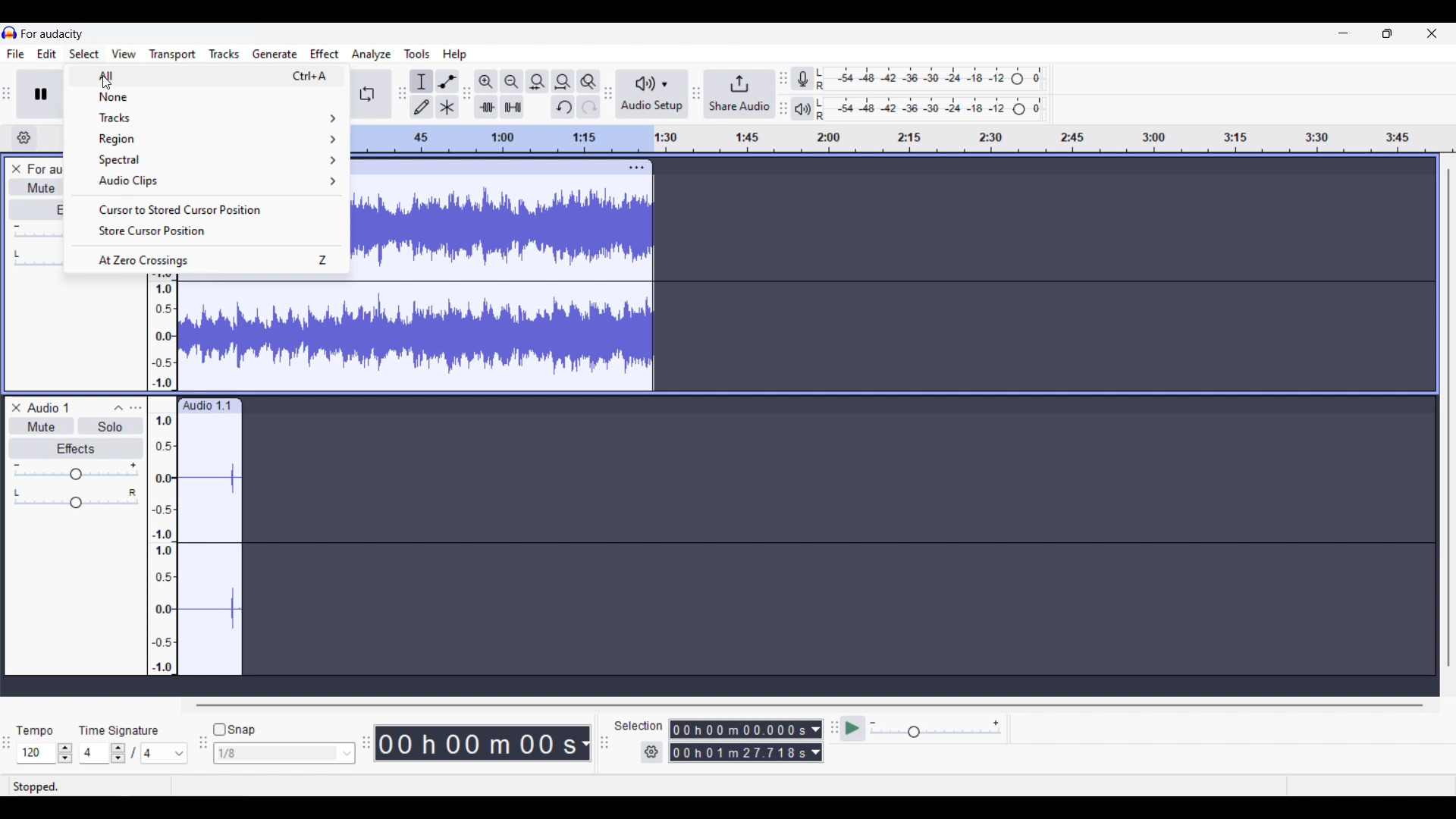 This screenshot has width=1456, height=819. What do you see at coordinates (639, 725) in the screenshot?
I see `Indicates selection duration` at bounding box center [639, 725].